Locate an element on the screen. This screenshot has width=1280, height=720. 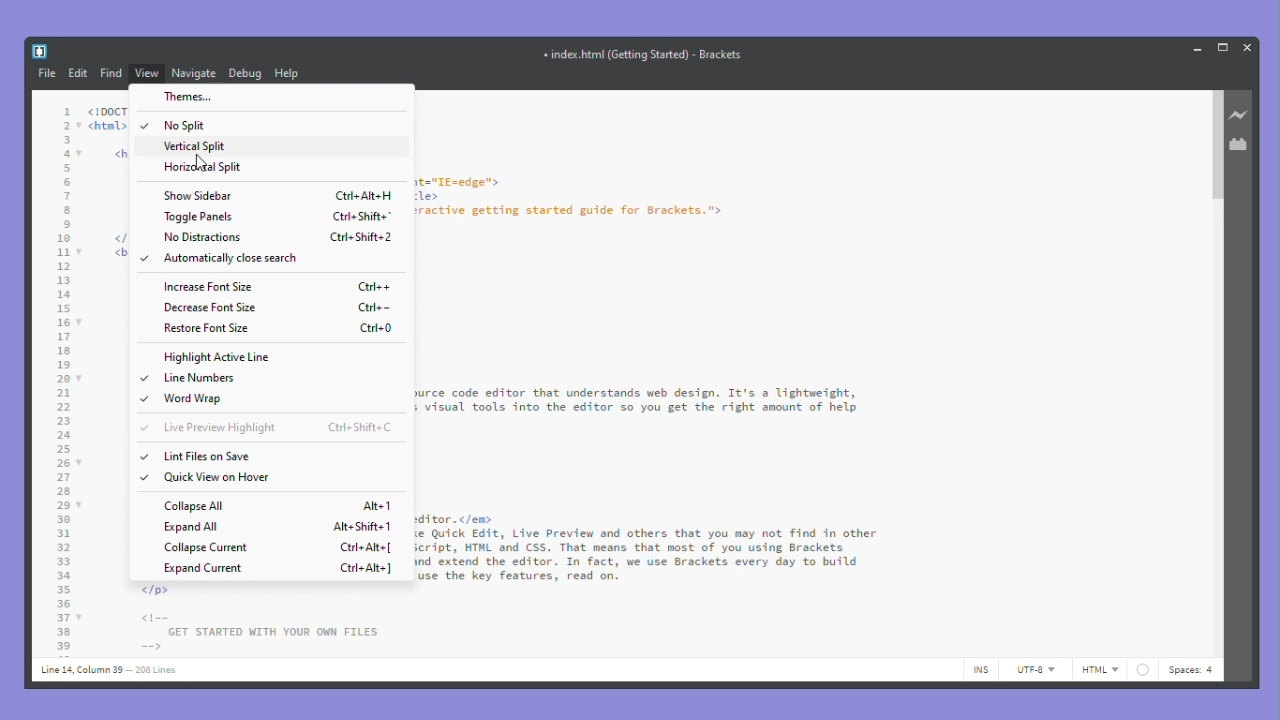
30 is located at coordinates (63, 519).